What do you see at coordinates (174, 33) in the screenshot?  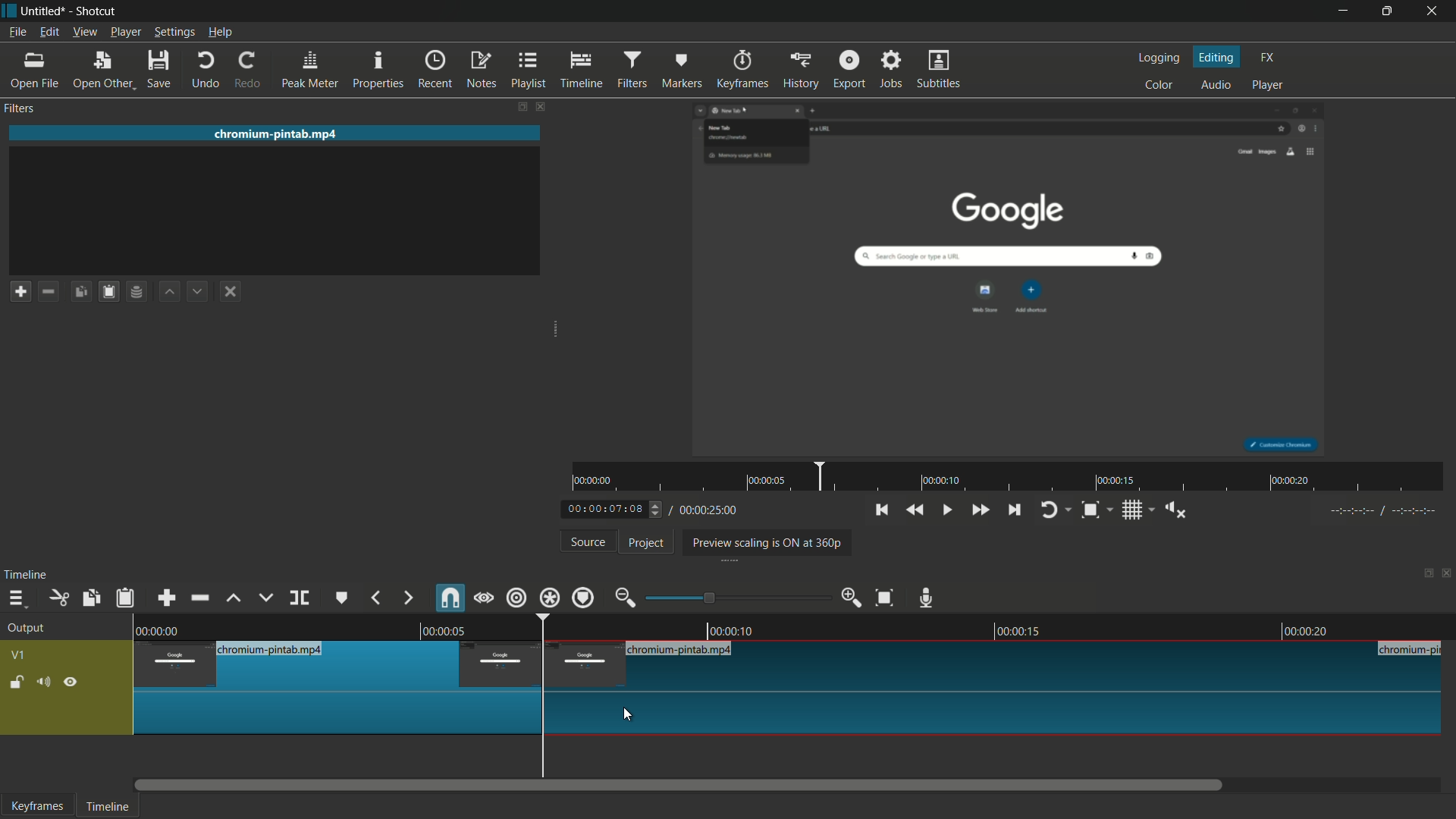 I see `settings menu` at bounding box center [174, 33].